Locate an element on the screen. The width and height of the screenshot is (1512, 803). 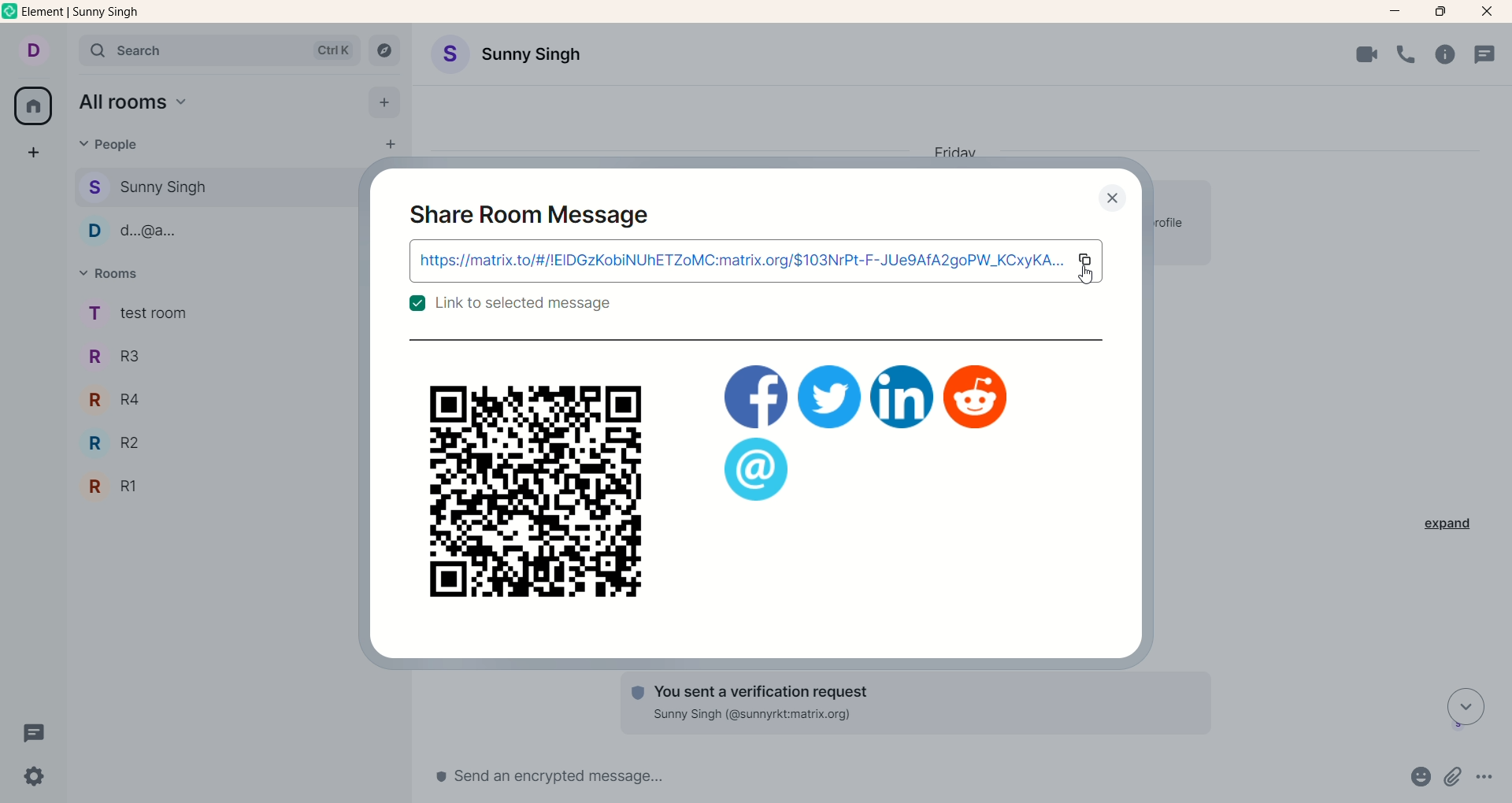
R2 is located at coordinates (123, 445).